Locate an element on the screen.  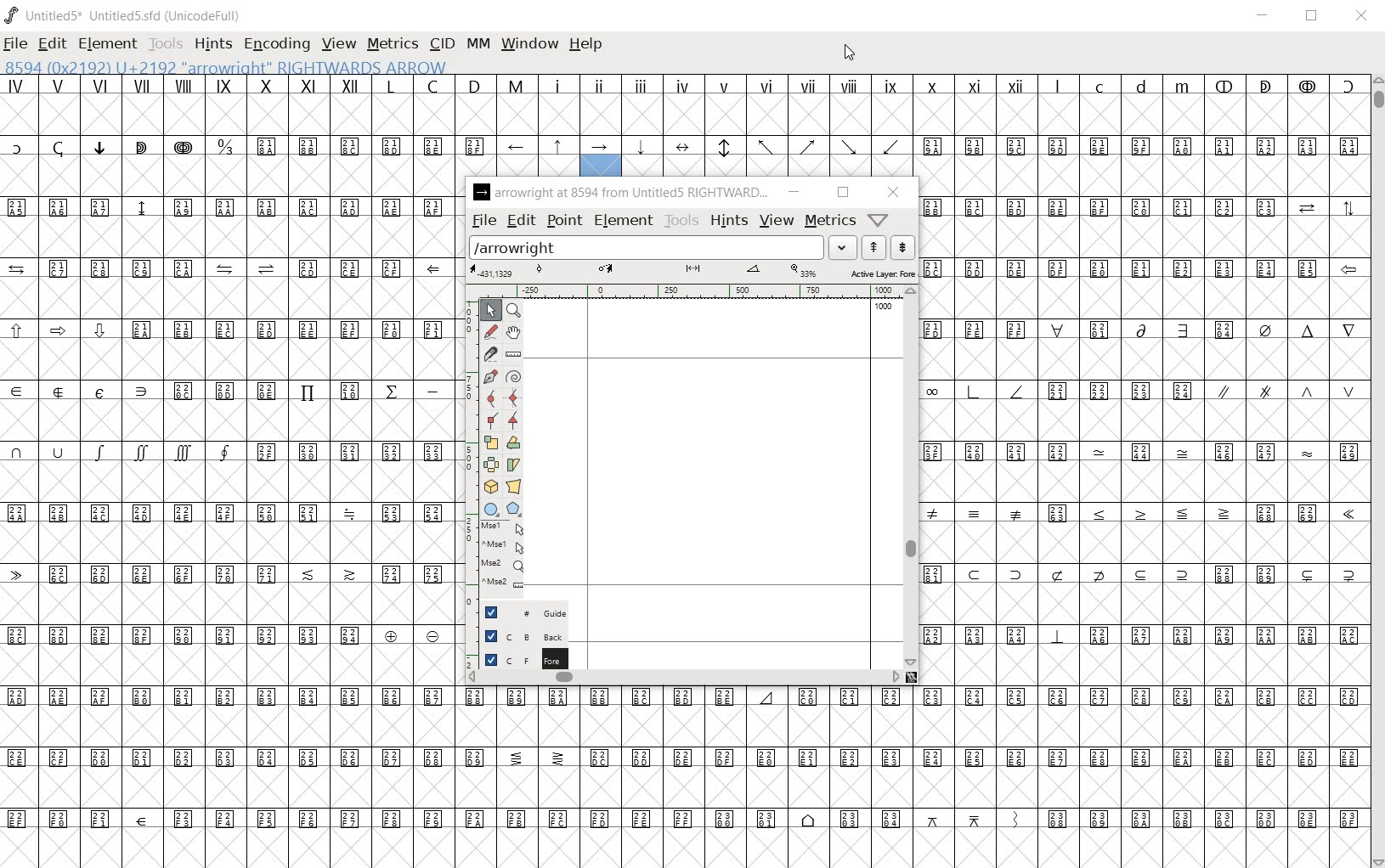
minimize is located at coordinates (794, 192).